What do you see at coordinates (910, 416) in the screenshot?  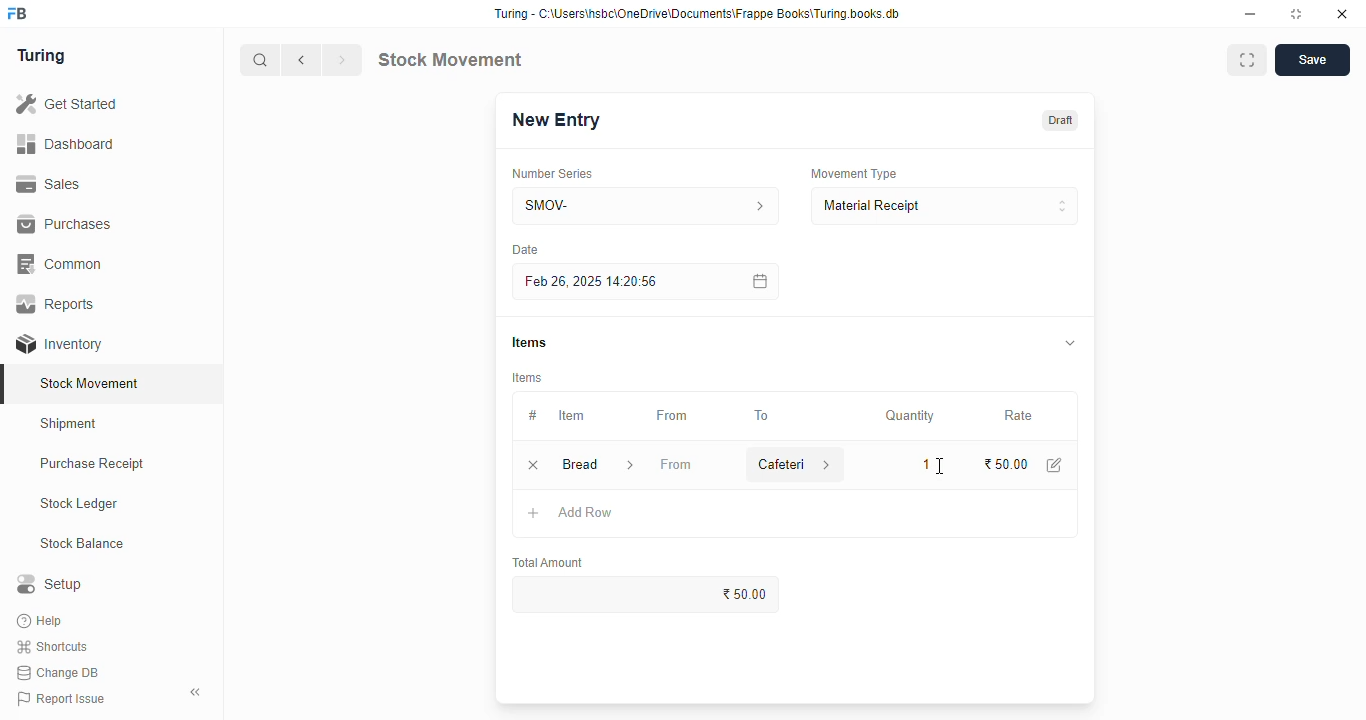 I see `quantity` at bounding box center [910, 416].